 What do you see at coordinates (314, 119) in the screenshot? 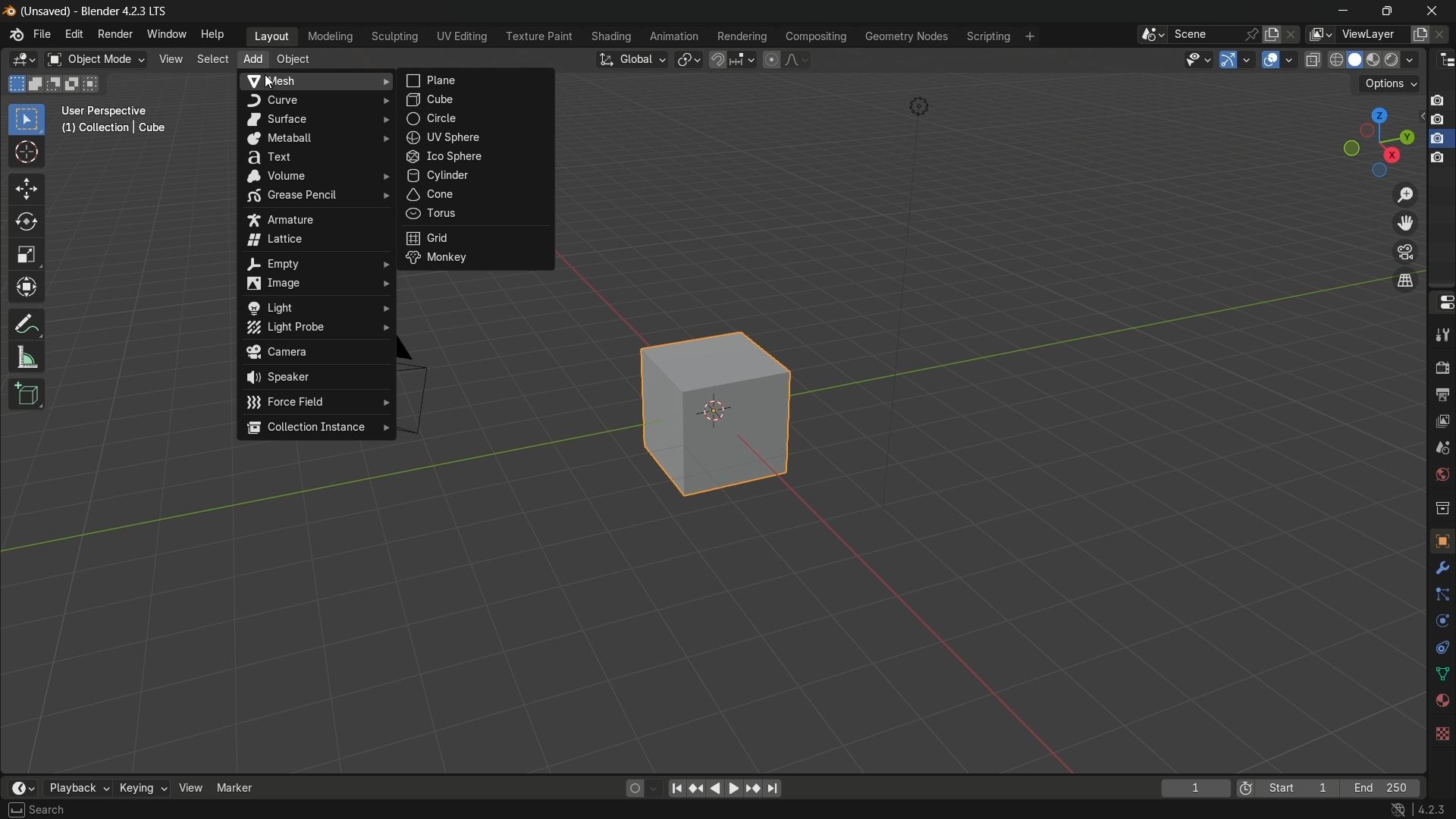
I see `surface` at bounding box center [314, 119].